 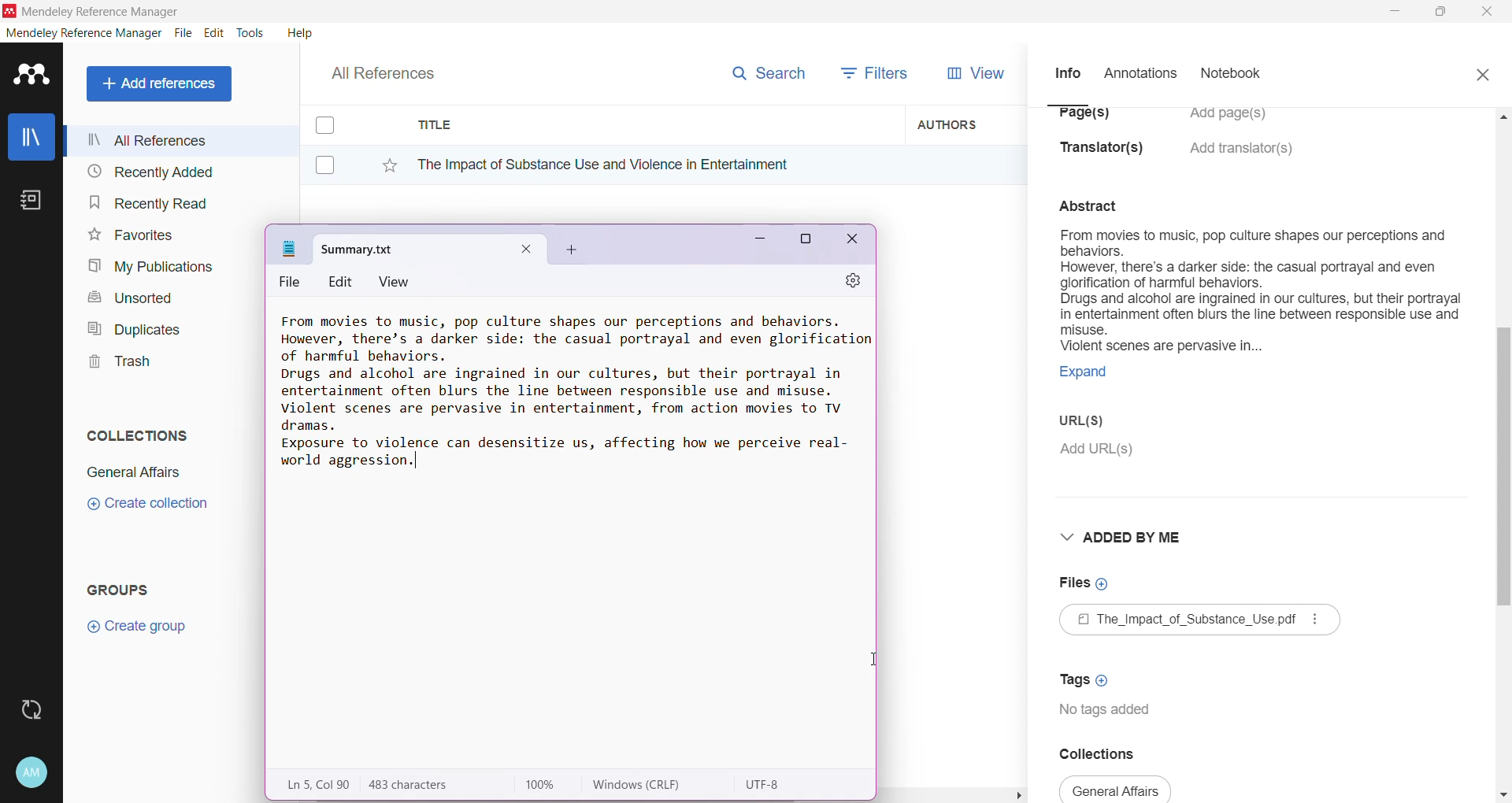 I want to click on My Publications, so click(x=149, y=267).